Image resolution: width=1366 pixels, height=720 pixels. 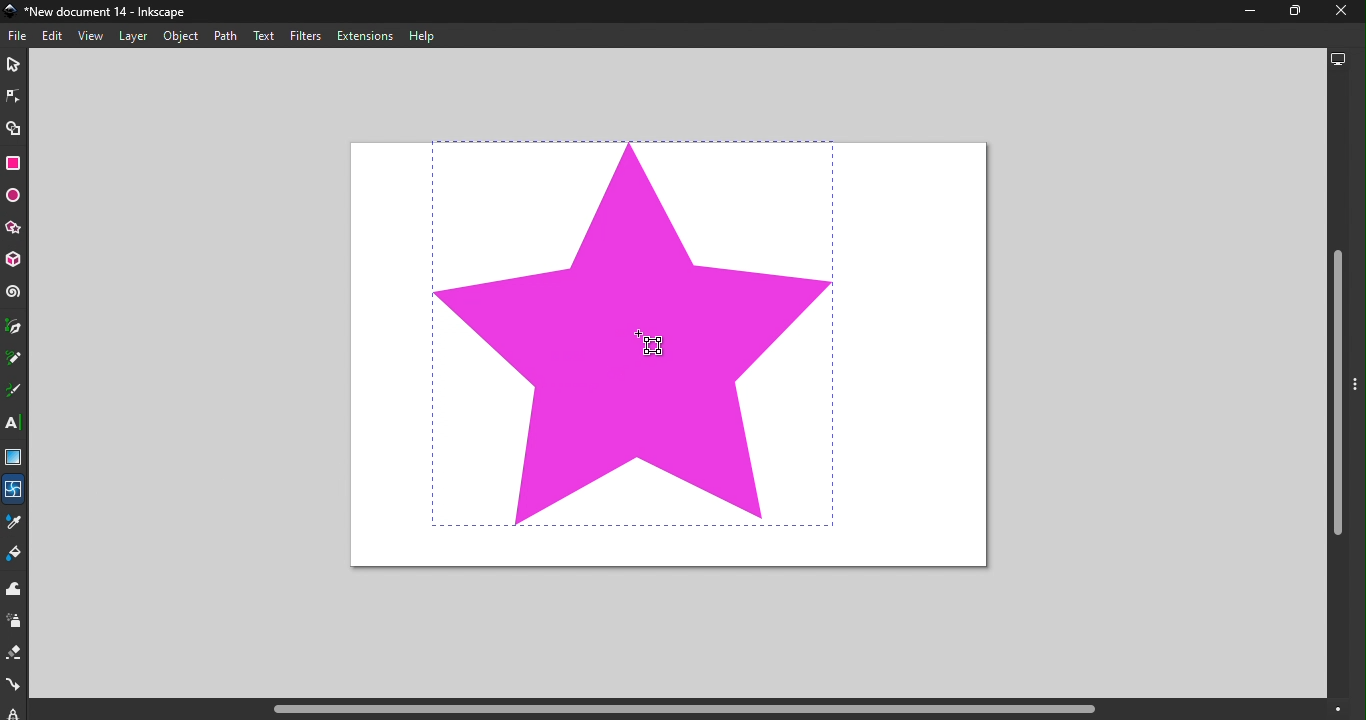 I want to click on Cursor, so click(x=29, y=514).